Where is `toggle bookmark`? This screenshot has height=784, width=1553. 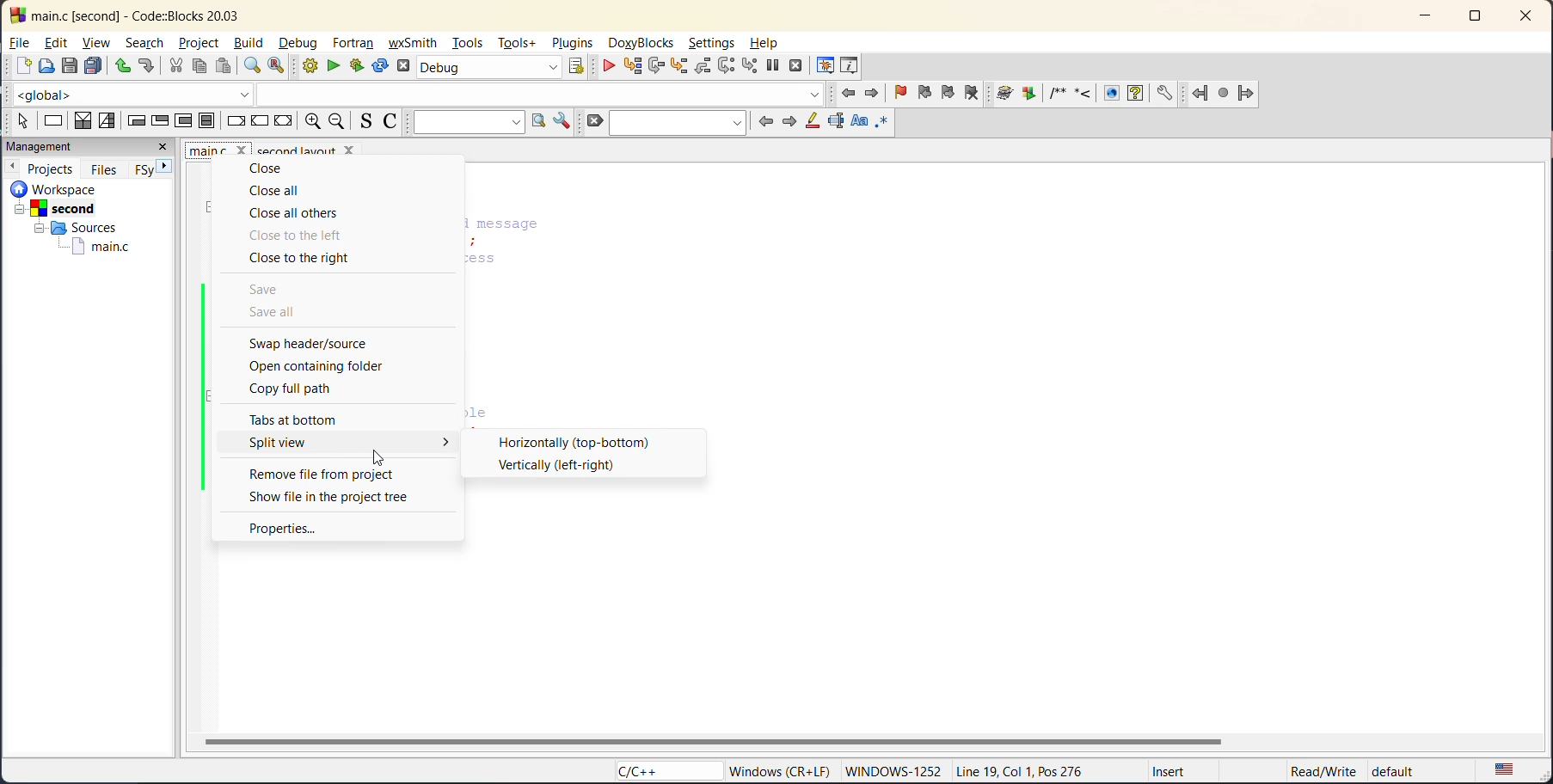
toggle bookmark is located at coordinates (903, 93).